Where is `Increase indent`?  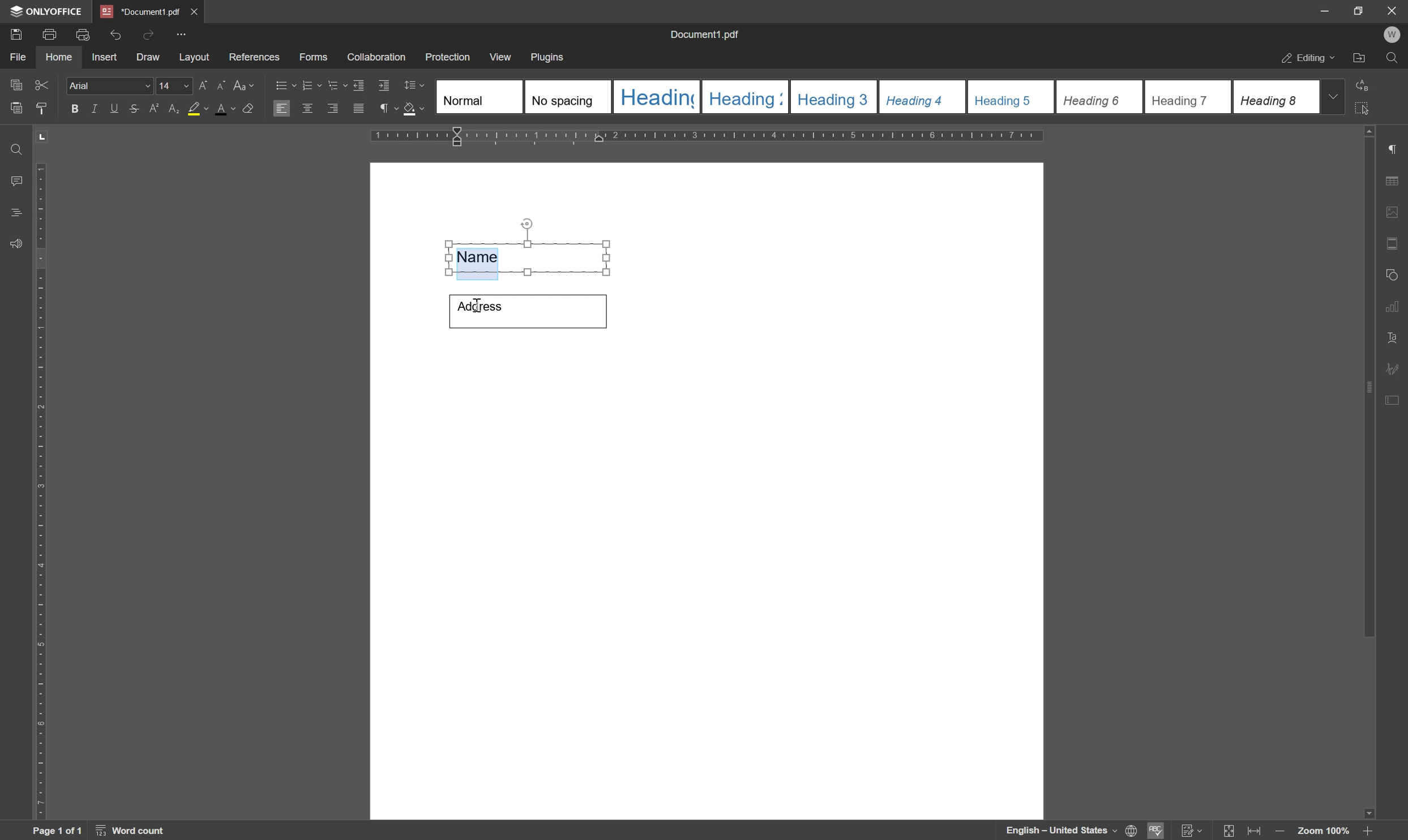
Increase indent is located at coordinates (386, 87).